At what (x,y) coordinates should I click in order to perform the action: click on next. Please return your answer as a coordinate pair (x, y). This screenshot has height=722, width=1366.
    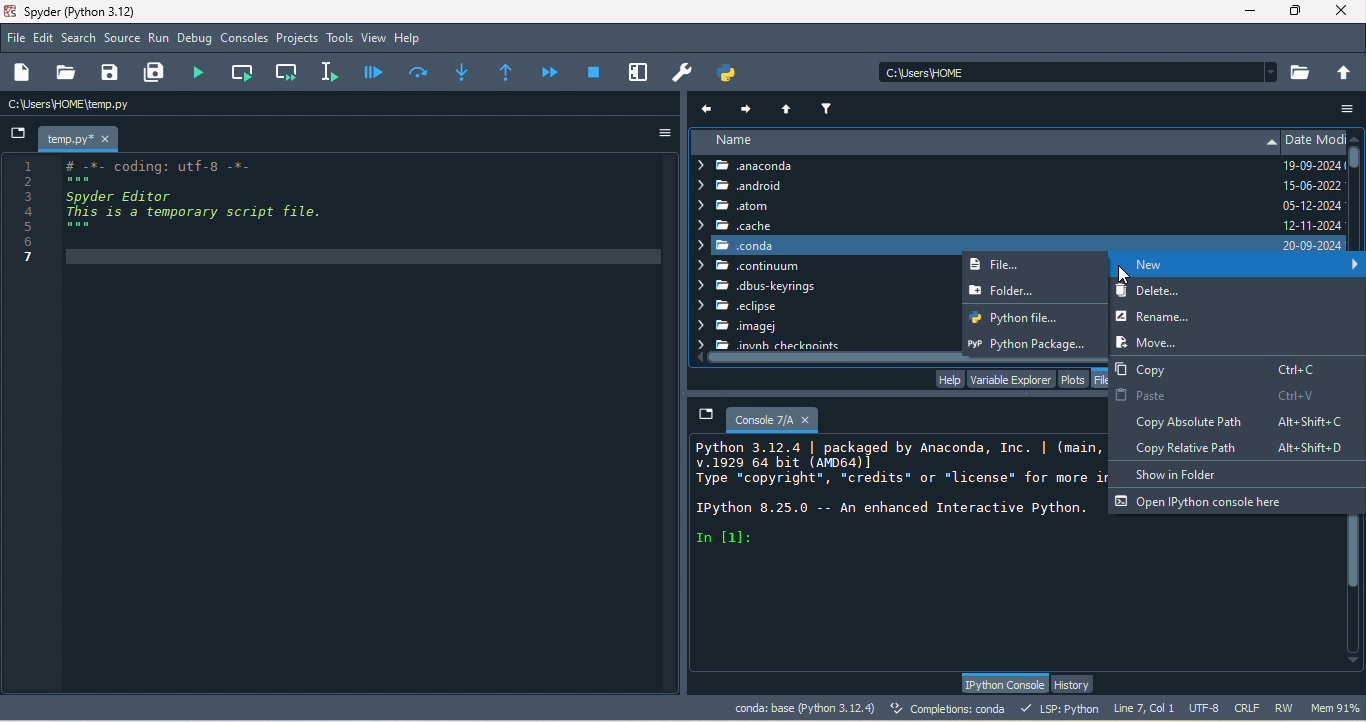
    Looking at the image, I should click on (747, 106).